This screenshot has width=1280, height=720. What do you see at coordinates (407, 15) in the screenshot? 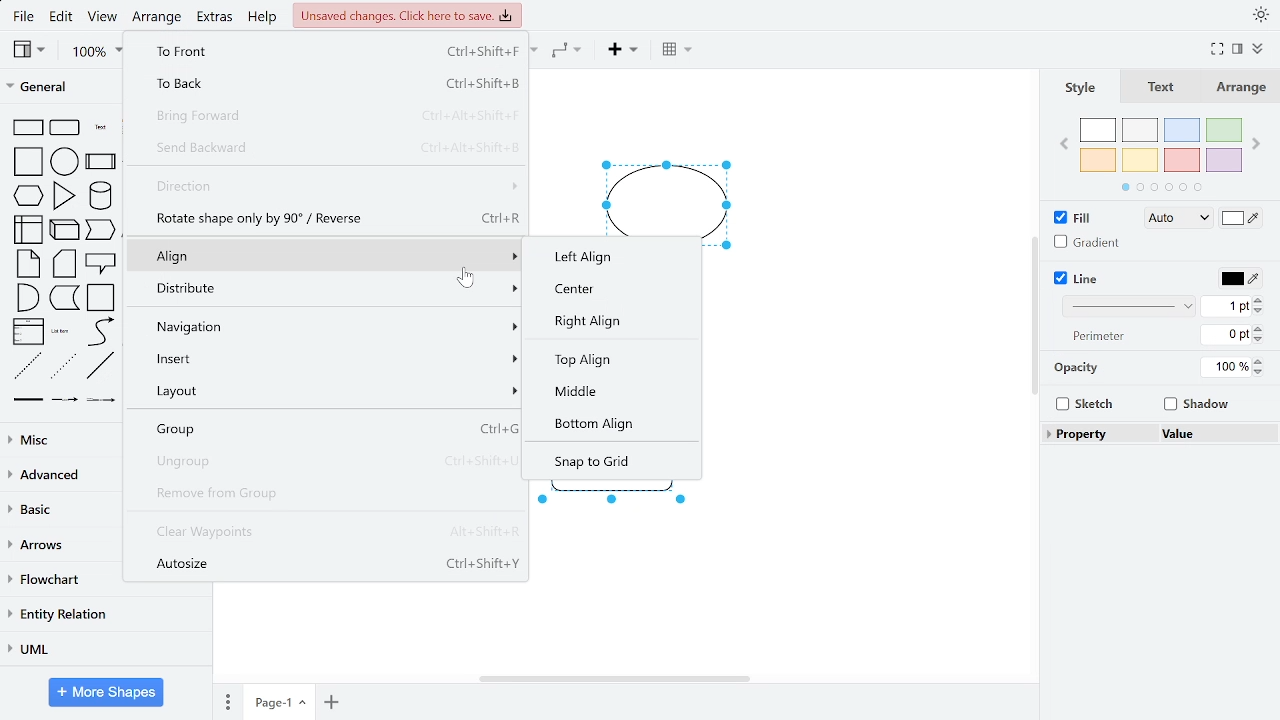
I see `unsaved changes. Click here to save` at bounding box center [407, 15].